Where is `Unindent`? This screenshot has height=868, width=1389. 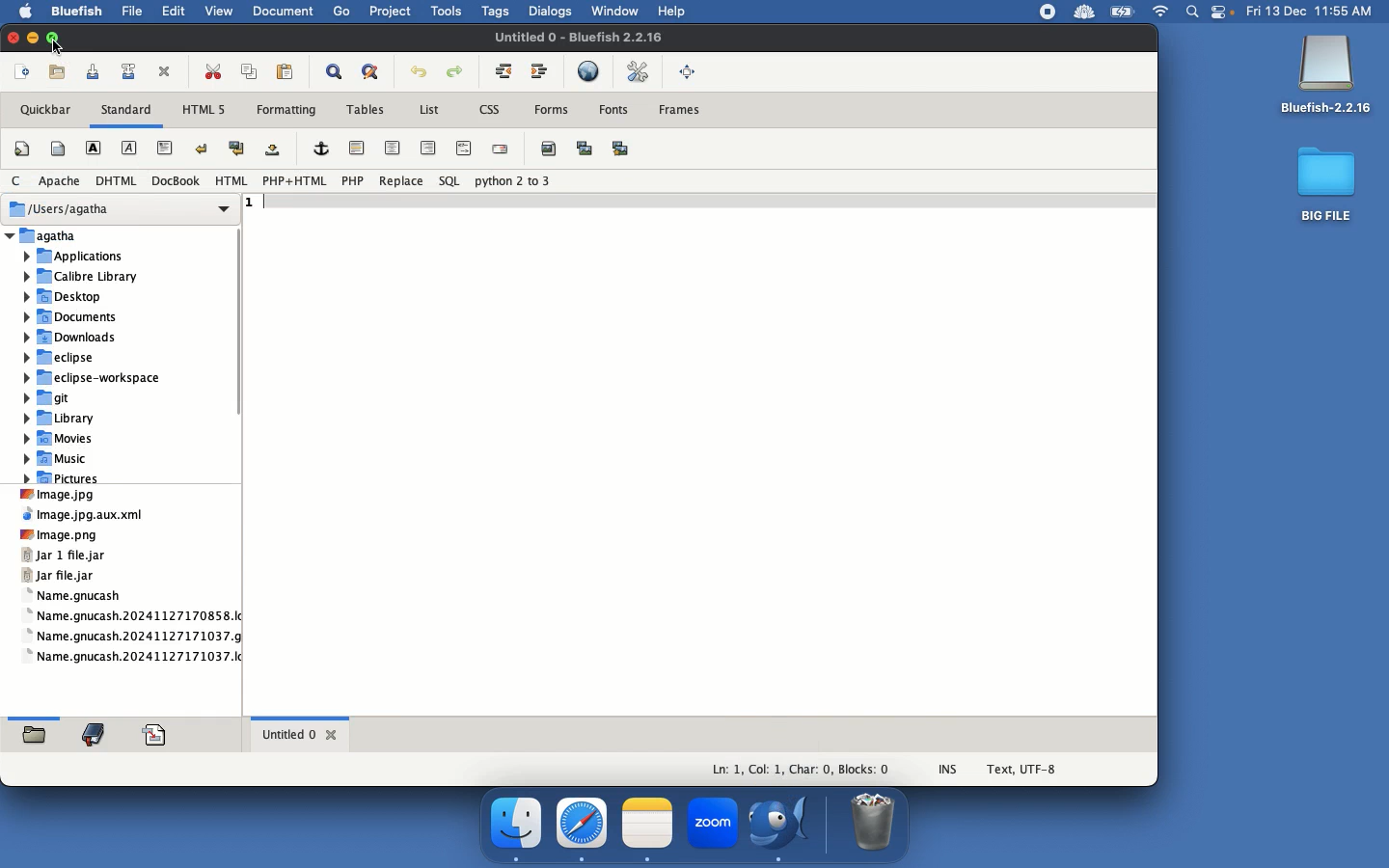 Unindent is located at coordinates (502, 69).